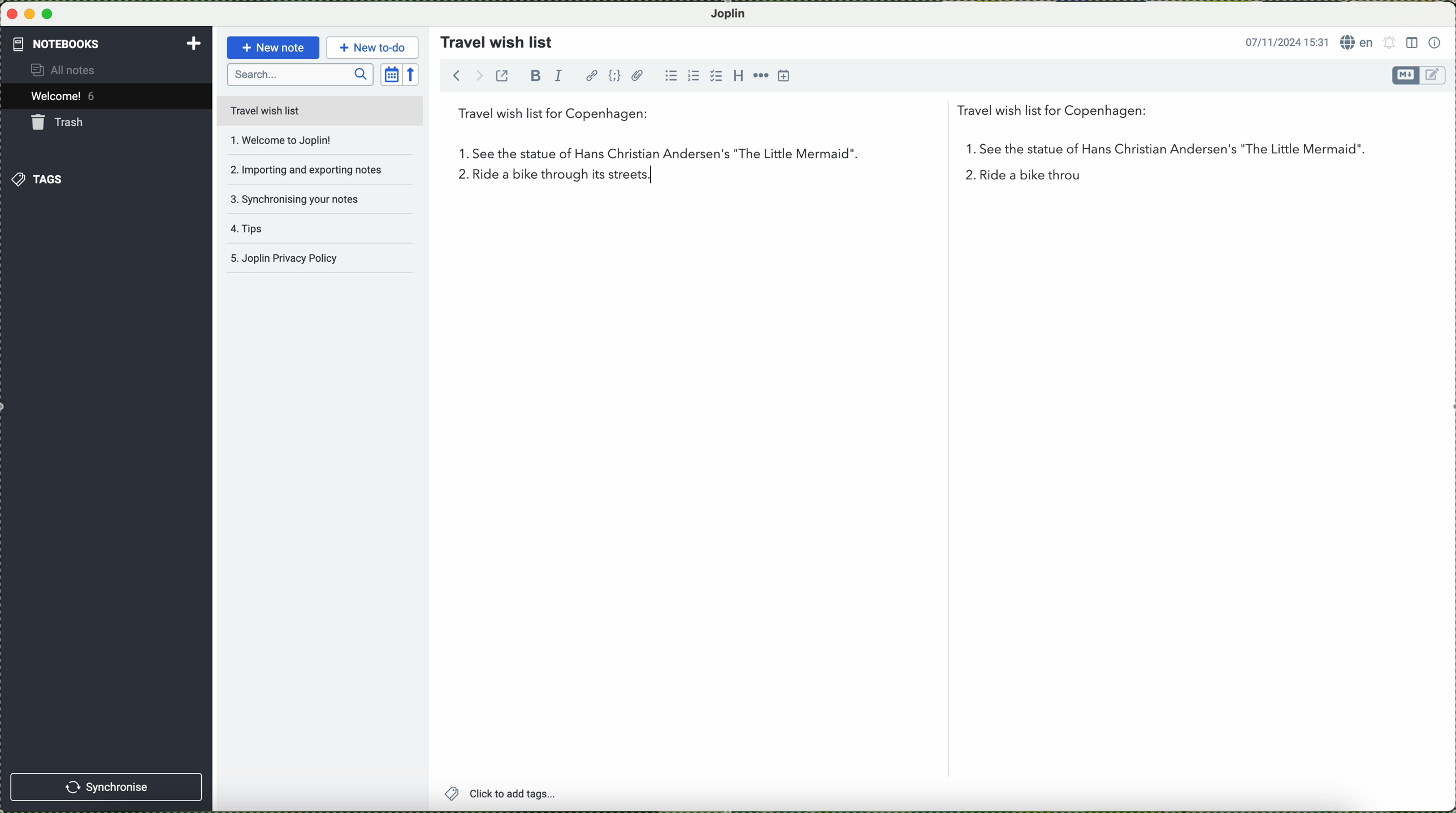 This screenshot has width=1456, height=813. Describe the element at coordinates (693, 71) in the screenshot. I see `numbered list` at that location.